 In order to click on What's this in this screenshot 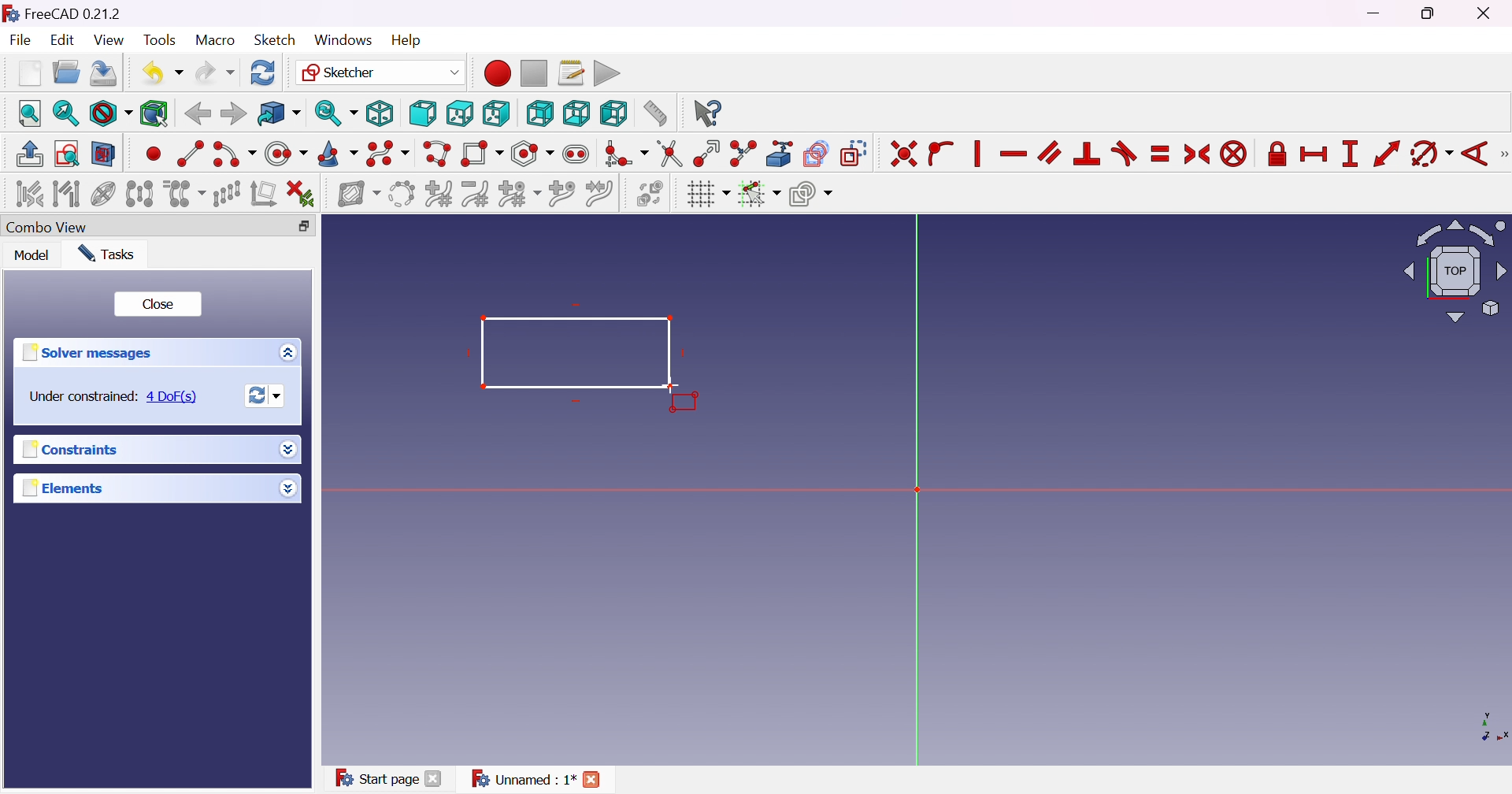, I will do `click(707, 113)`.